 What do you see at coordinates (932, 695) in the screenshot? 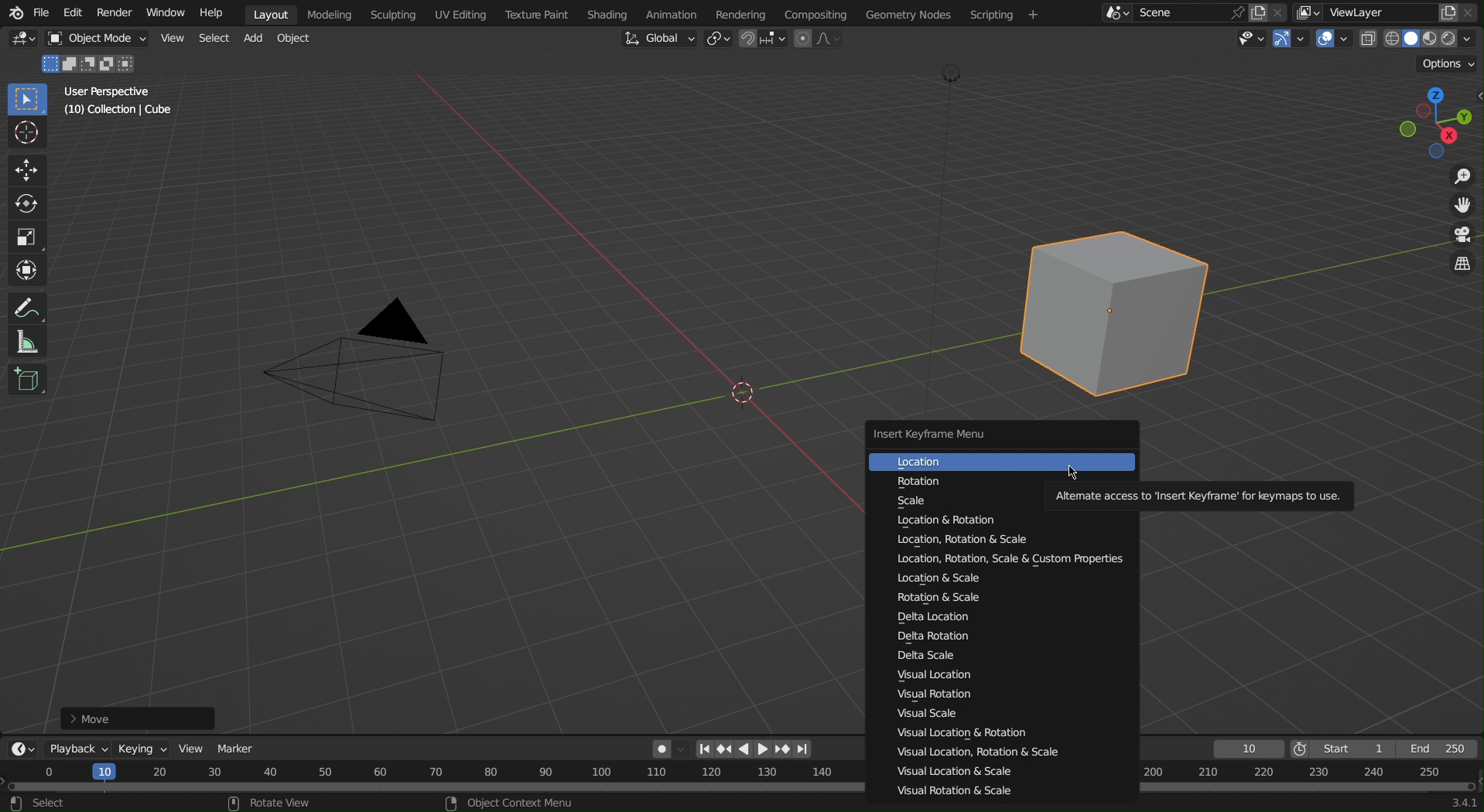
I see `Visual Rotation` at bounding box center [932, 695].